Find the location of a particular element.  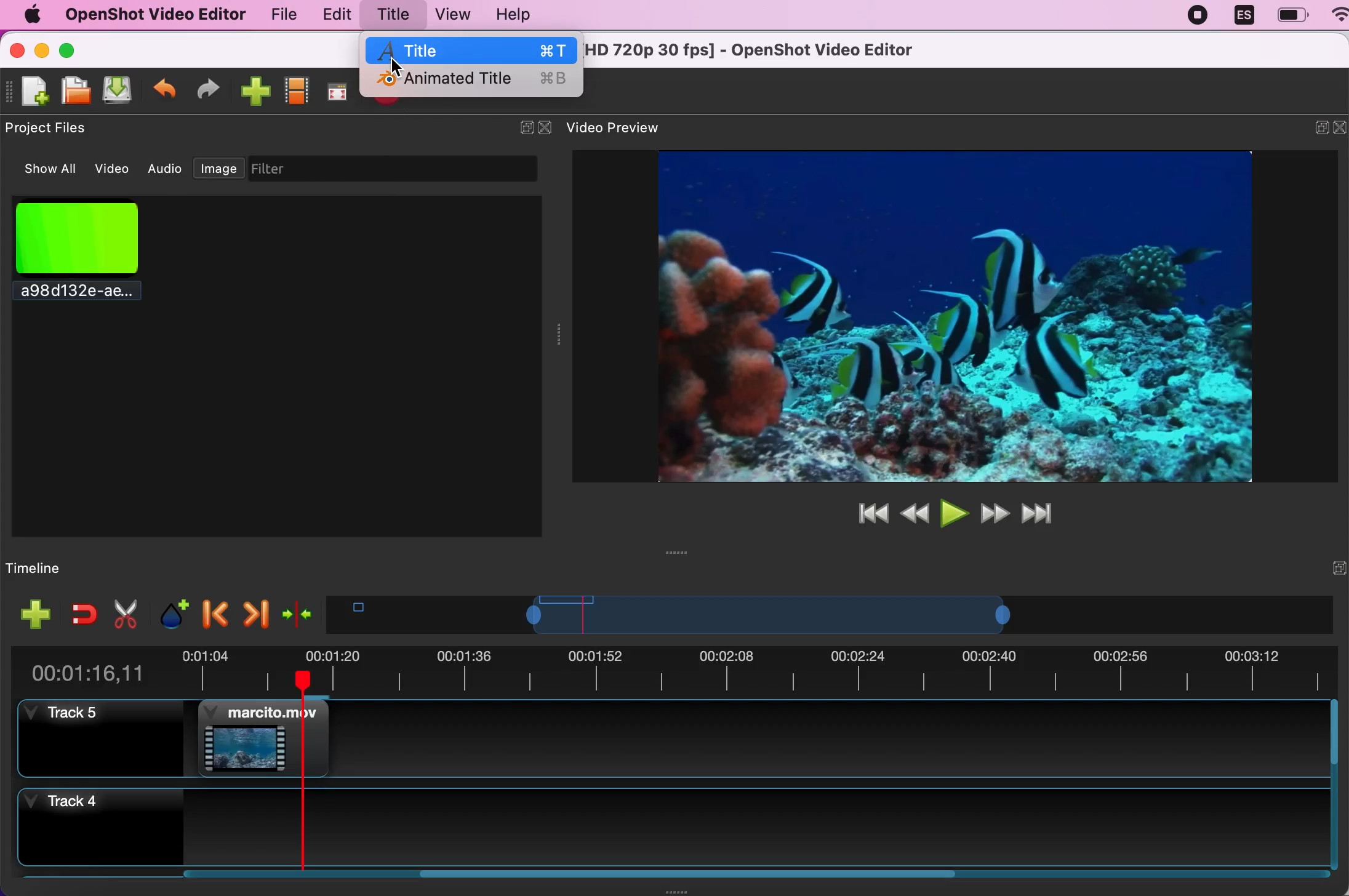

timeline is located at coordinates (66, 567).